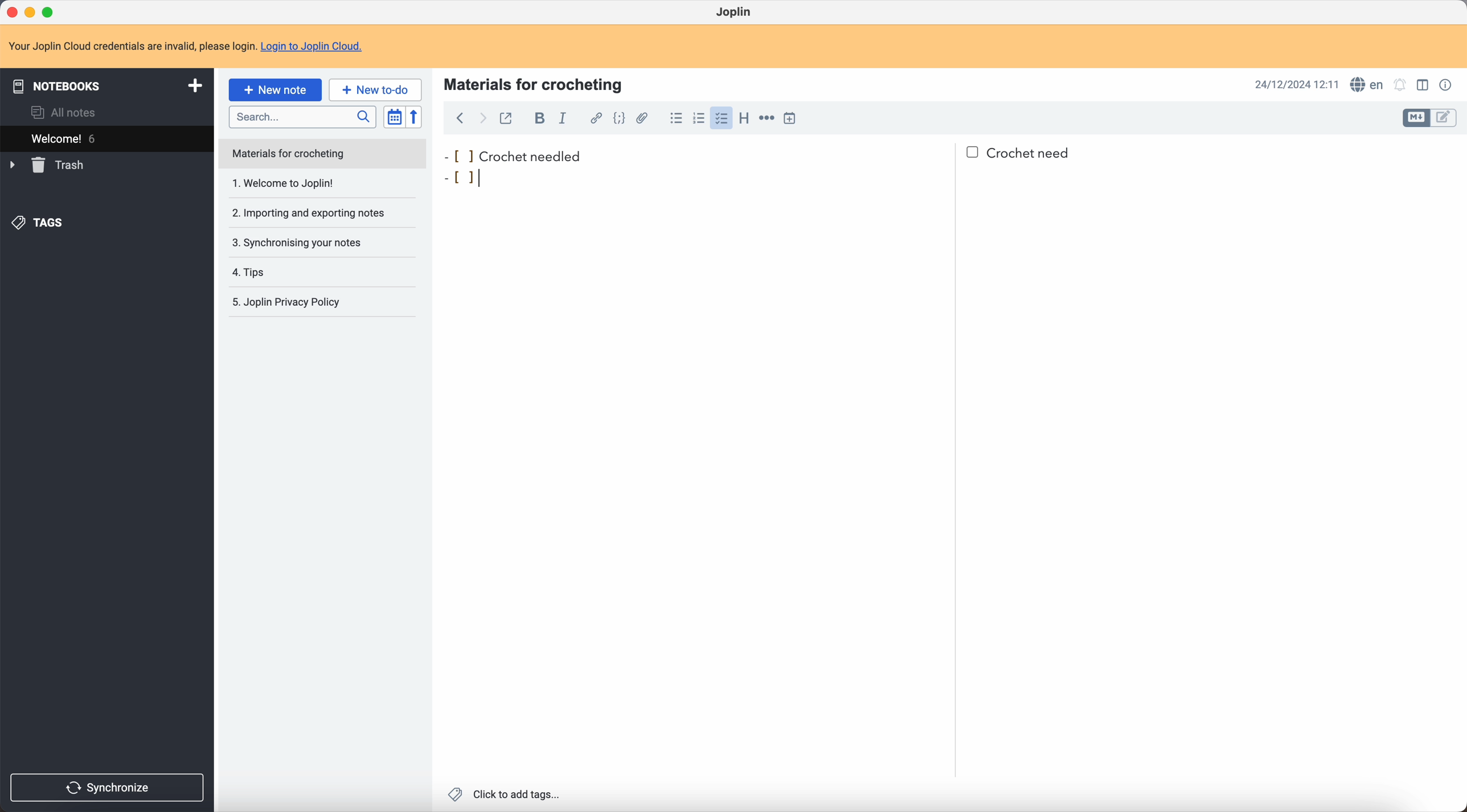  Describe the element at coordinates (315, 184) in the screenshot. I see `1. Welcome to Joplin!` at that location.